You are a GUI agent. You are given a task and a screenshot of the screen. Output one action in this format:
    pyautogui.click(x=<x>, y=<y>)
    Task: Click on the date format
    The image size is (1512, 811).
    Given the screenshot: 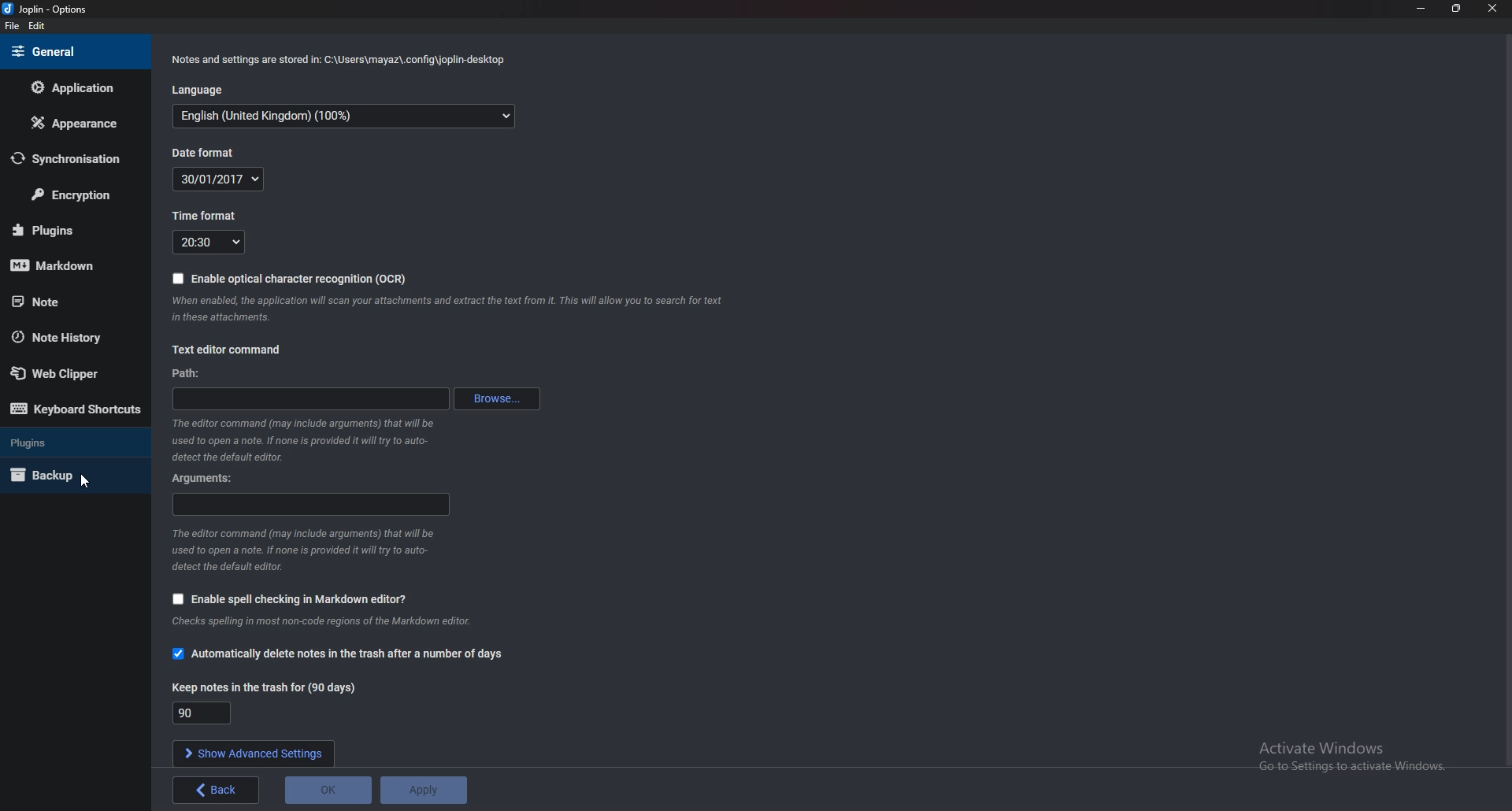 What is the action you would take?
    pyautogui.click(x=220, y=177)
    